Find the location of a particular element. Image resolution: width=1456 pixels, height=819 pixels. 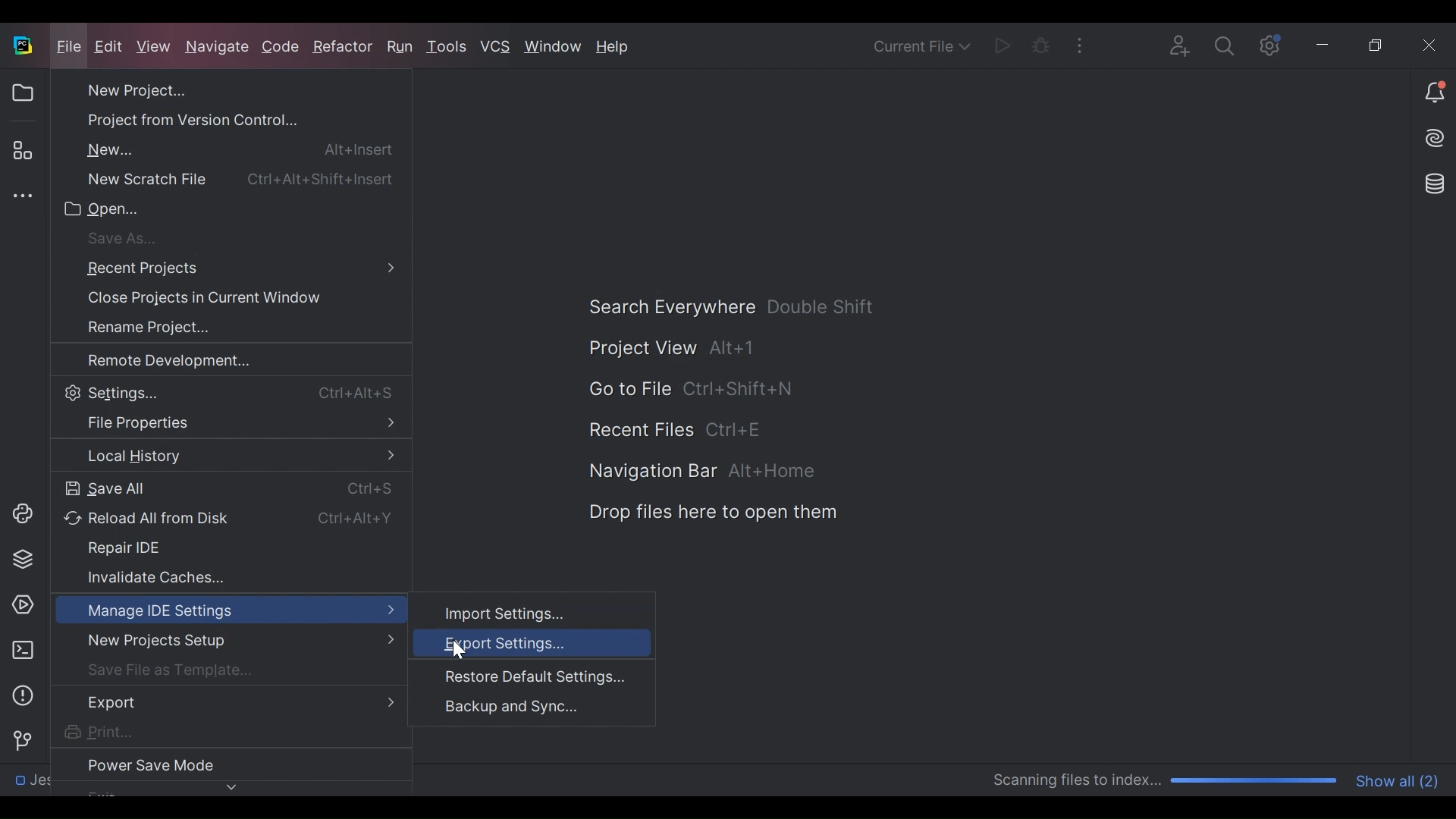

Navigate is located at coordinates (218, 49).